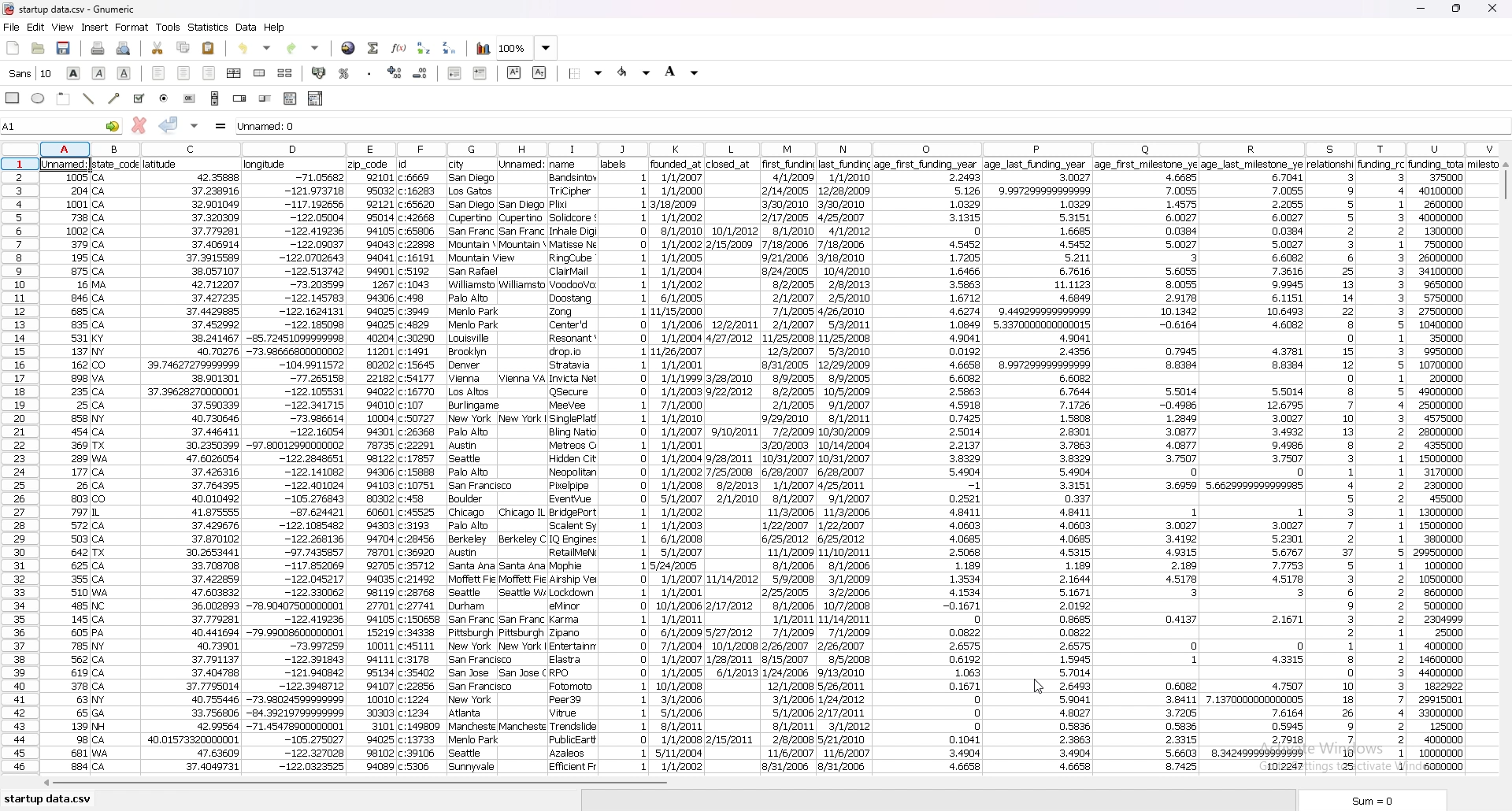 This screenshot has height=811, width=1512. Describe the element at coordinates (514, 72) in the screenshot. I see `supercript` at that location.